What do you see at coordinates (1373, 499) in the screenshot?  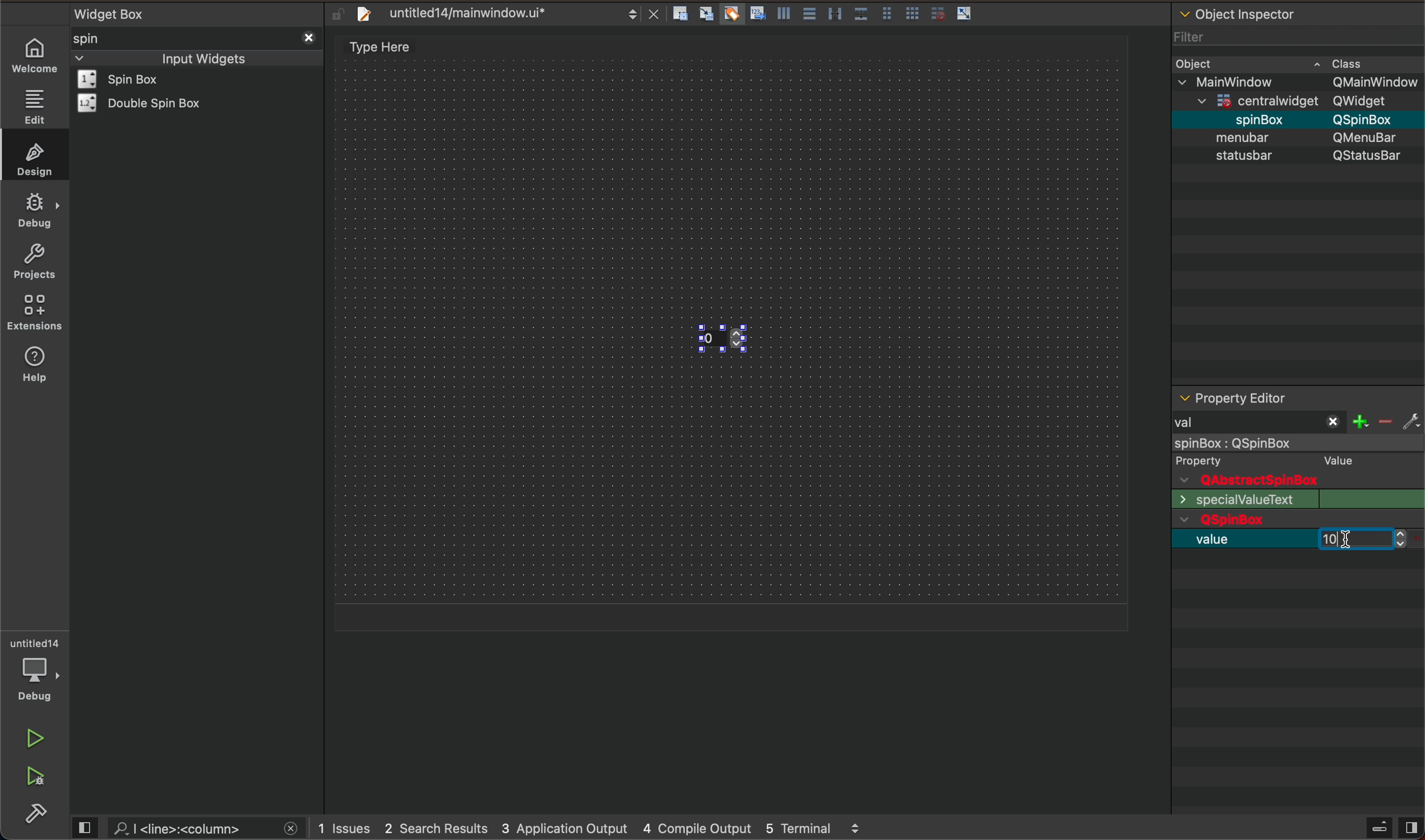 I see `text` at bounding box center [1373, 499].